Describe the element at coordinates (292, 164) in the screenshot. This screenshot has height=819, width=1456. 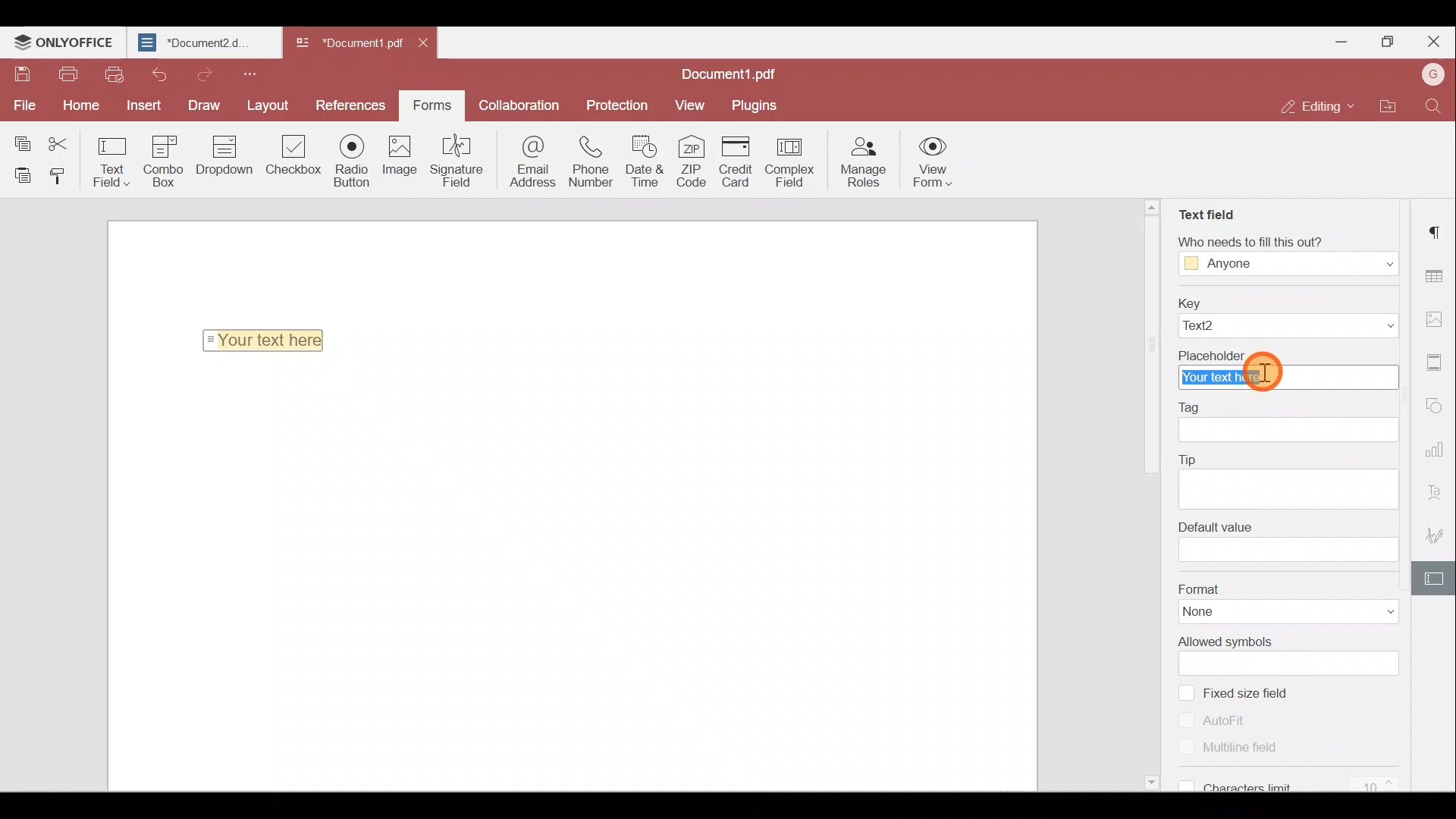
I see `Check box` at that location.